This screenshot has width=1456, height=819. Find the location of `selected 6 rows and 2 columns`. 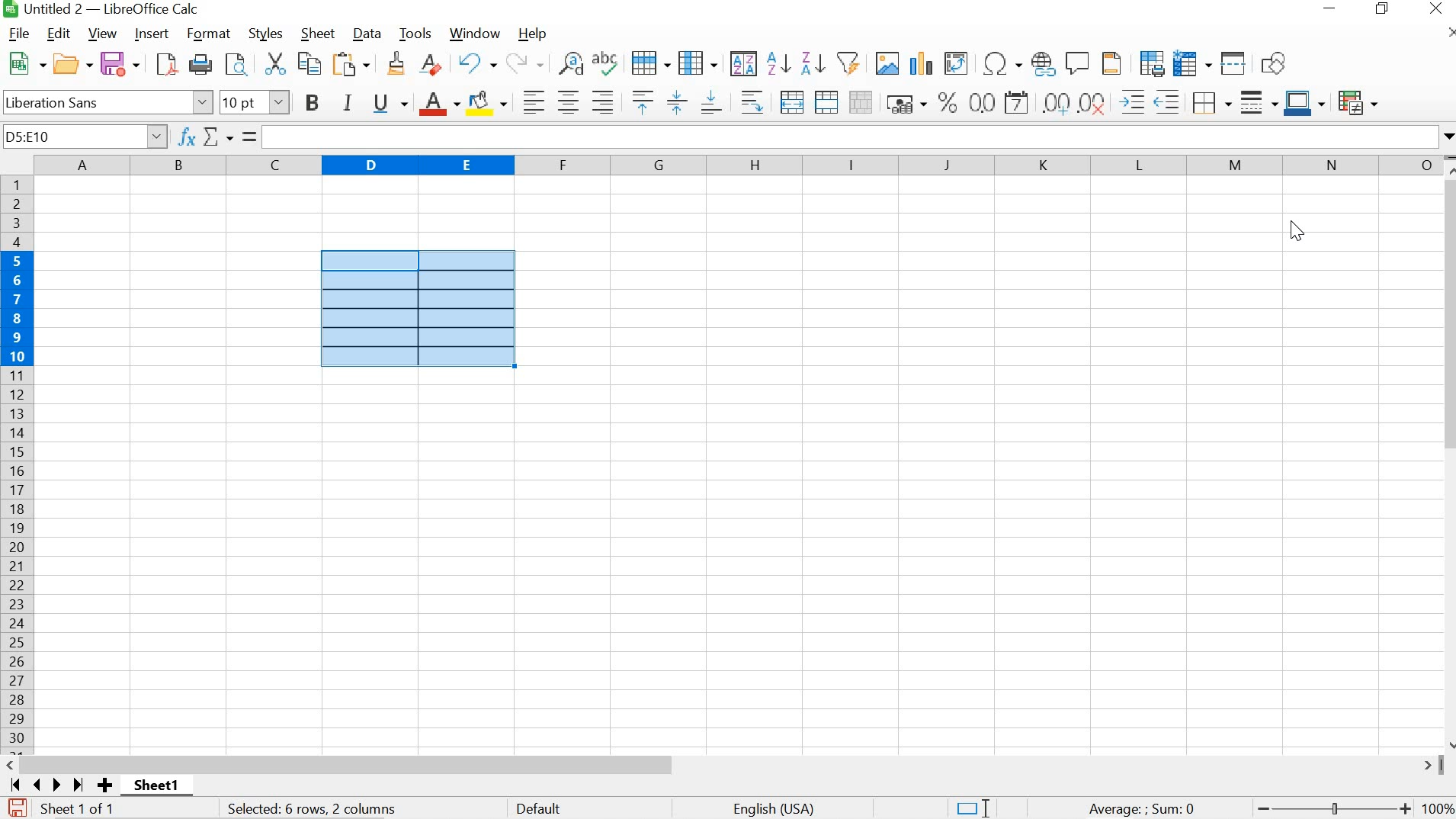

selected 6 rows and 2 columns is located at coordinates (315, 810).